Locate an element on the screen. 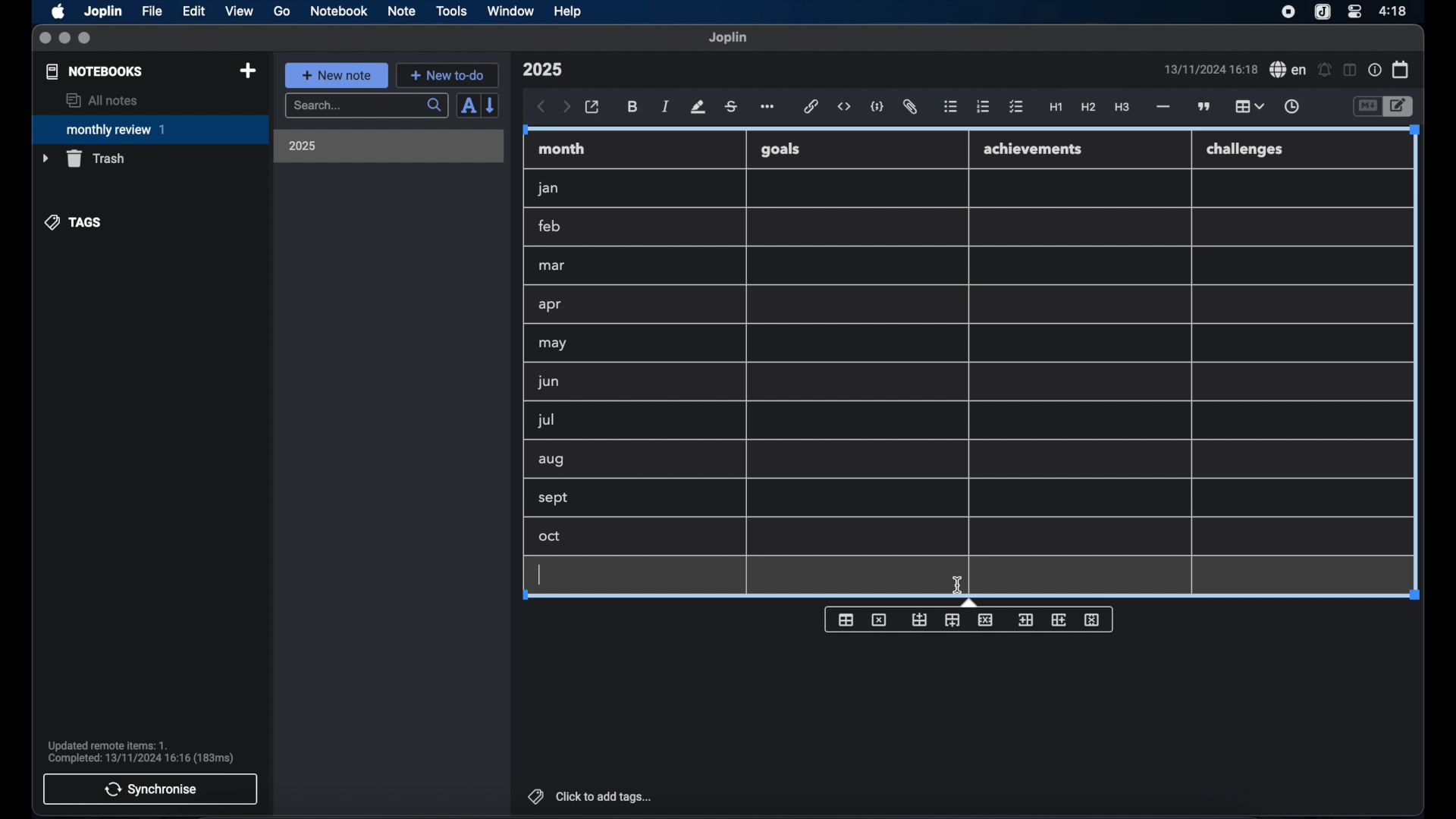  minimize is located at coordinates (64, 39).